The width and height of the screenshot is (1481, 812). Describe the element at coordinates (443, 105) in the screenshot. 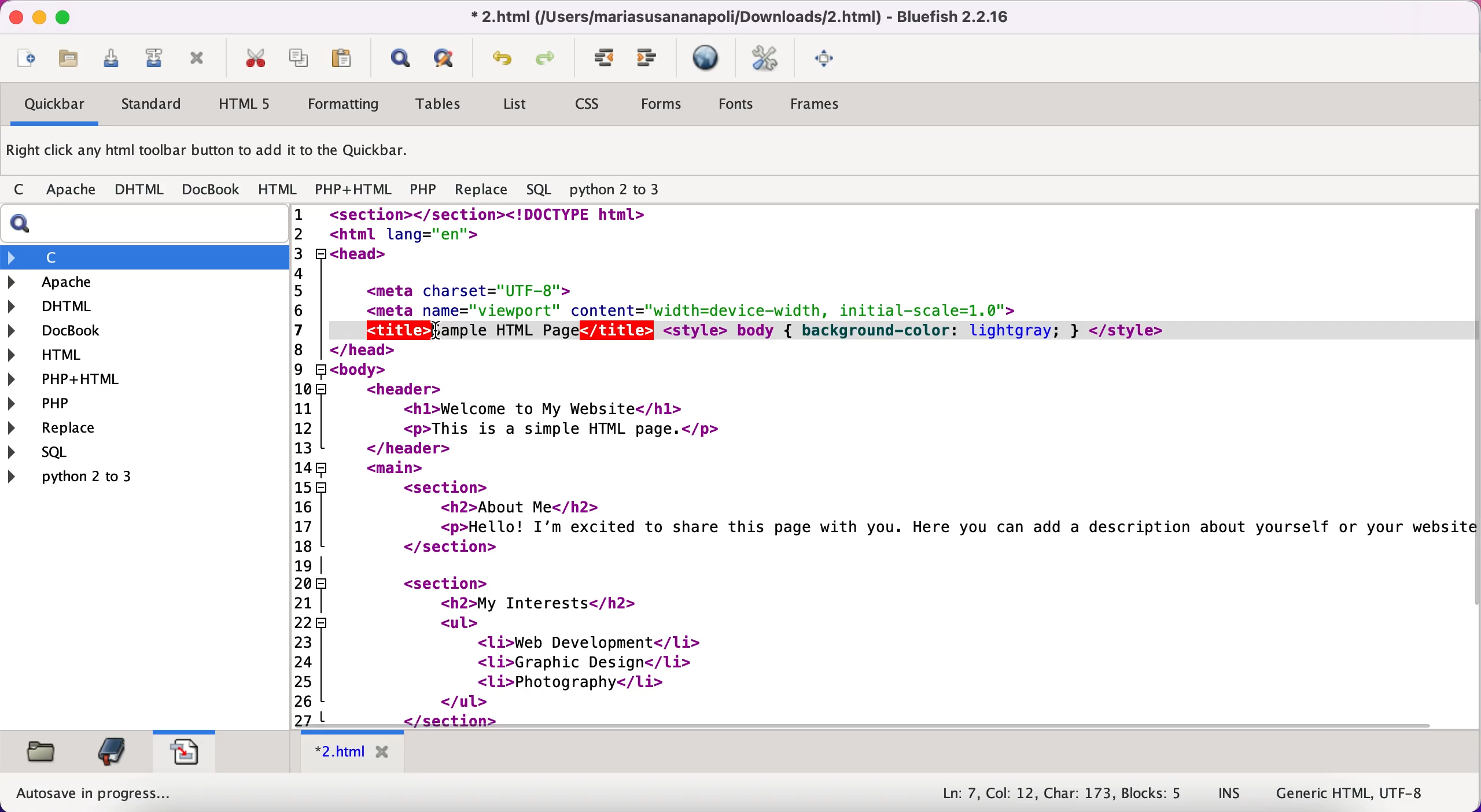

I see `tables` at that location.